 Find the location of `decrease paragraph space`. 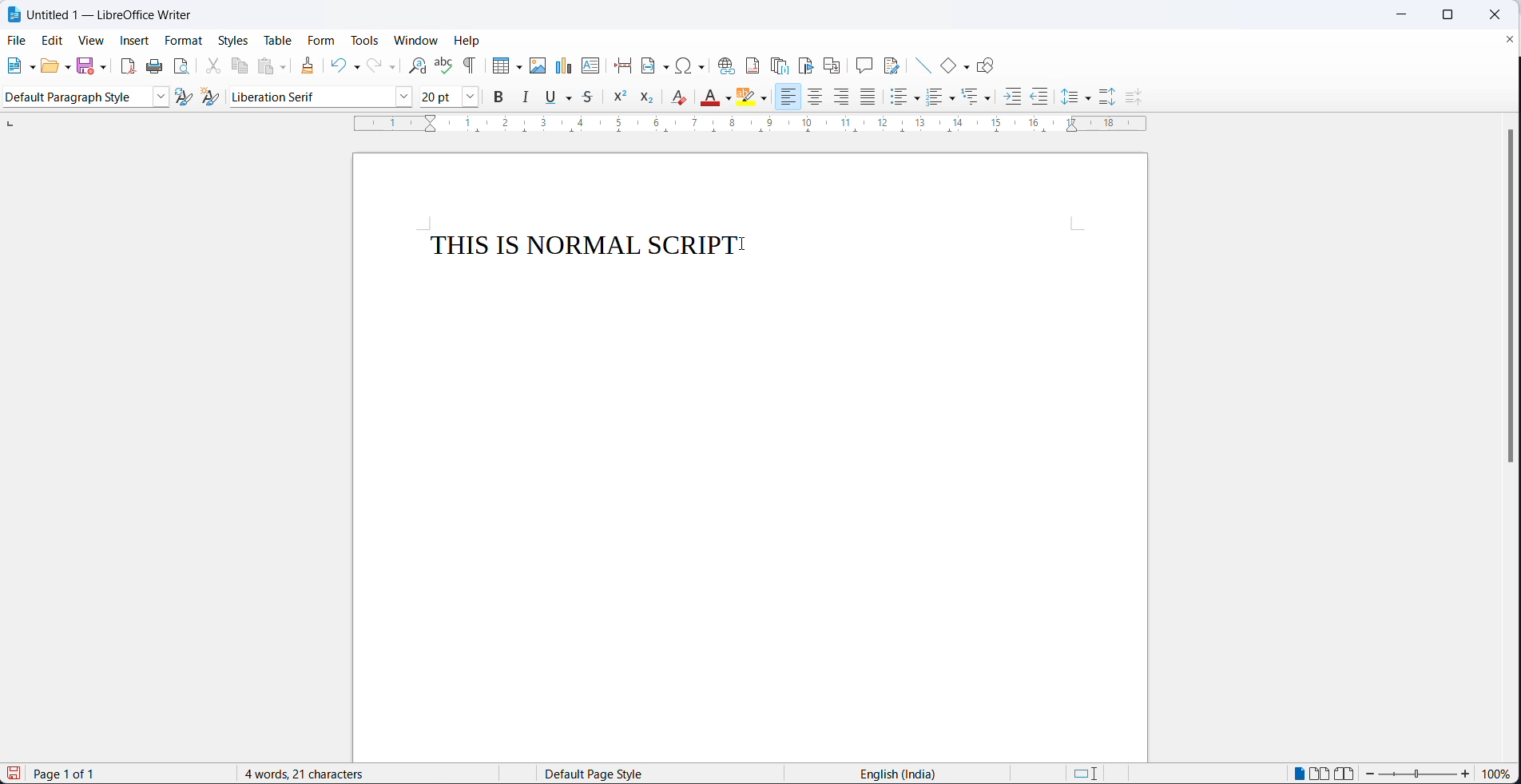

decrease paragraph space is located at coordinates (1131, 97).